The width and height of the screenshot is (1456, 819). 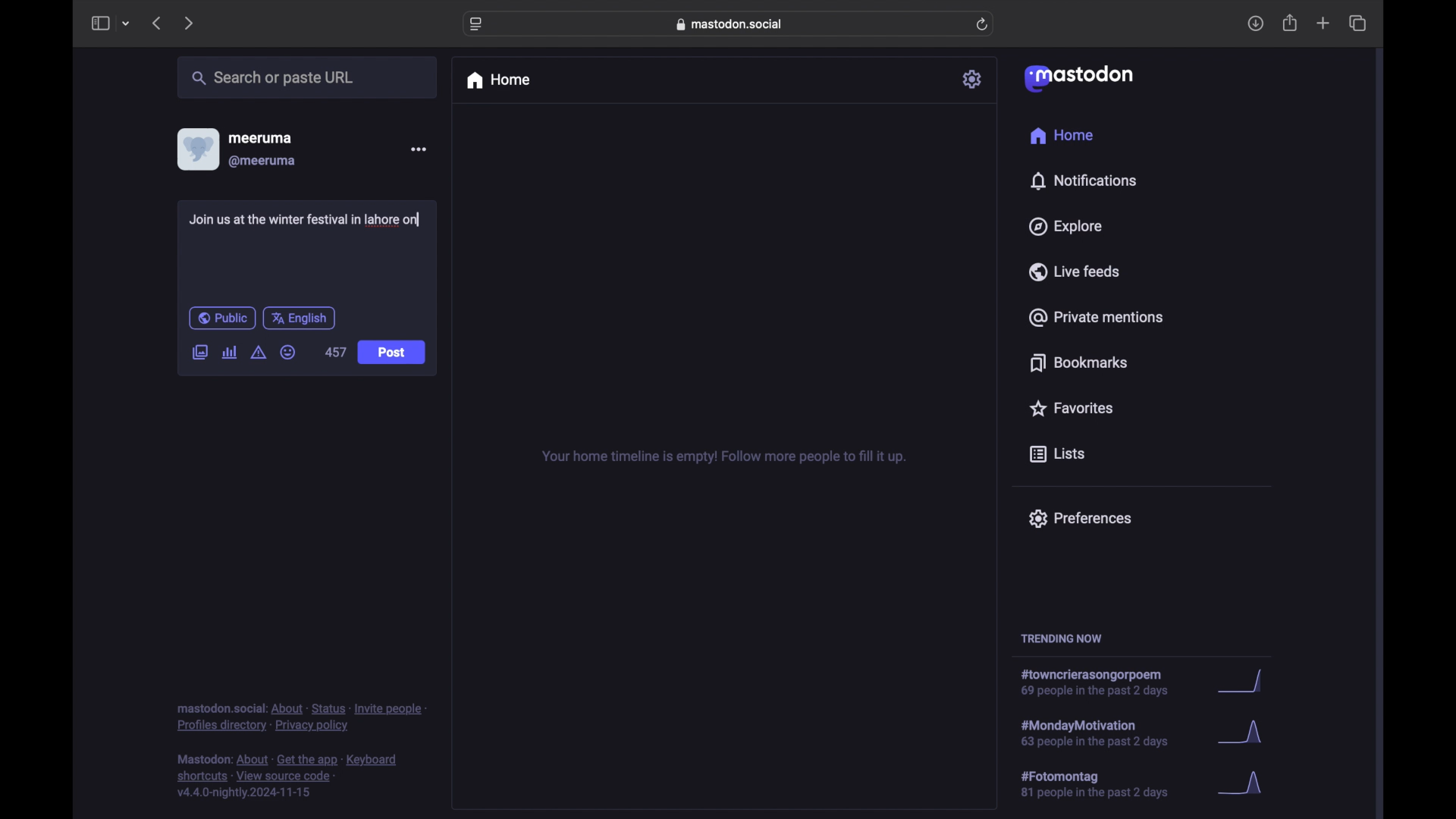 What do you see at coordinates (1078, 362) in the screenshot?
I see `bookmarks` at bounding box center [1078, 362].